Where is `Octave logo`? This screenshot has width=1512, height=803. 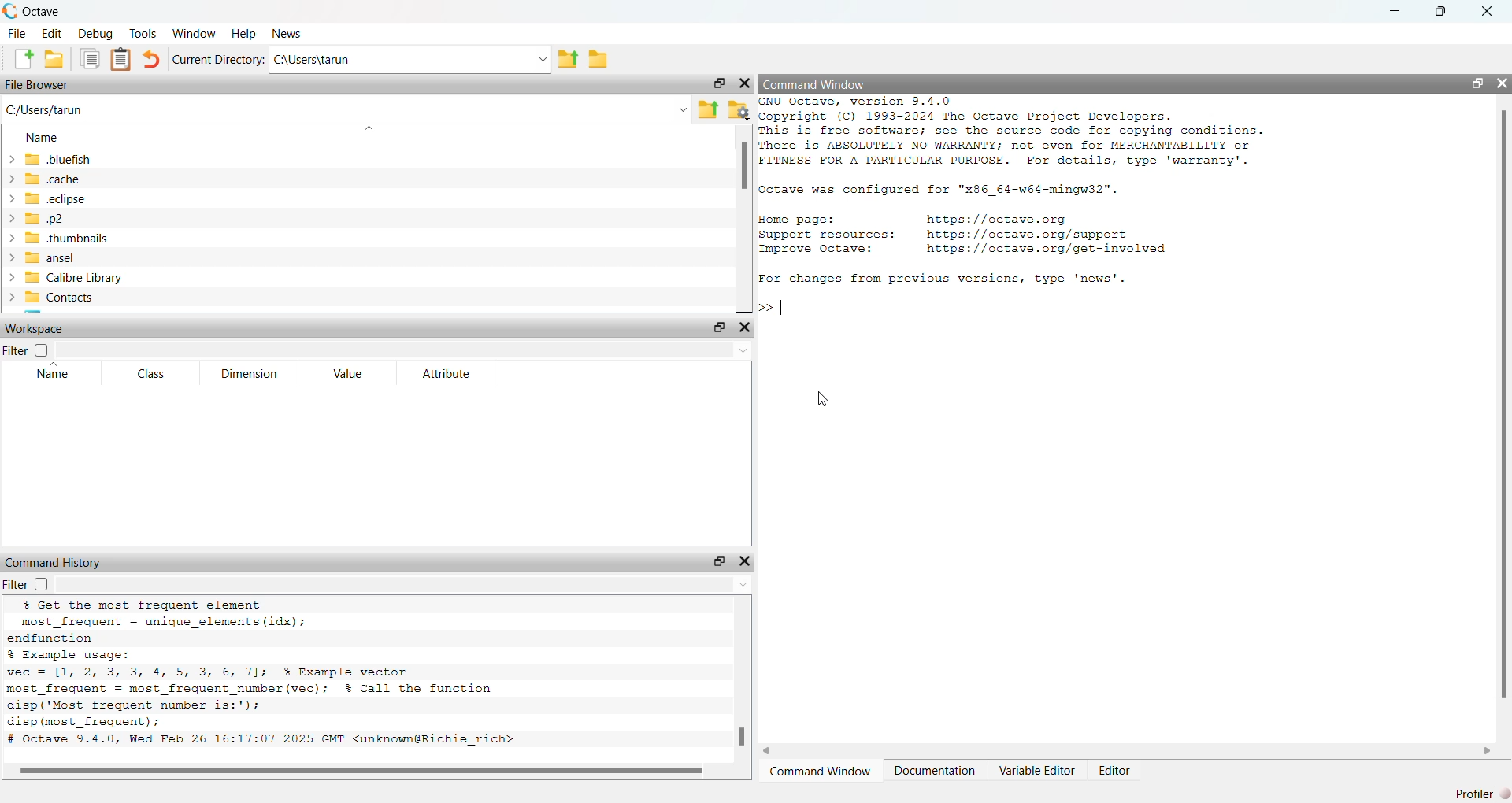 Octave logo is located at coordinates (10, 11).